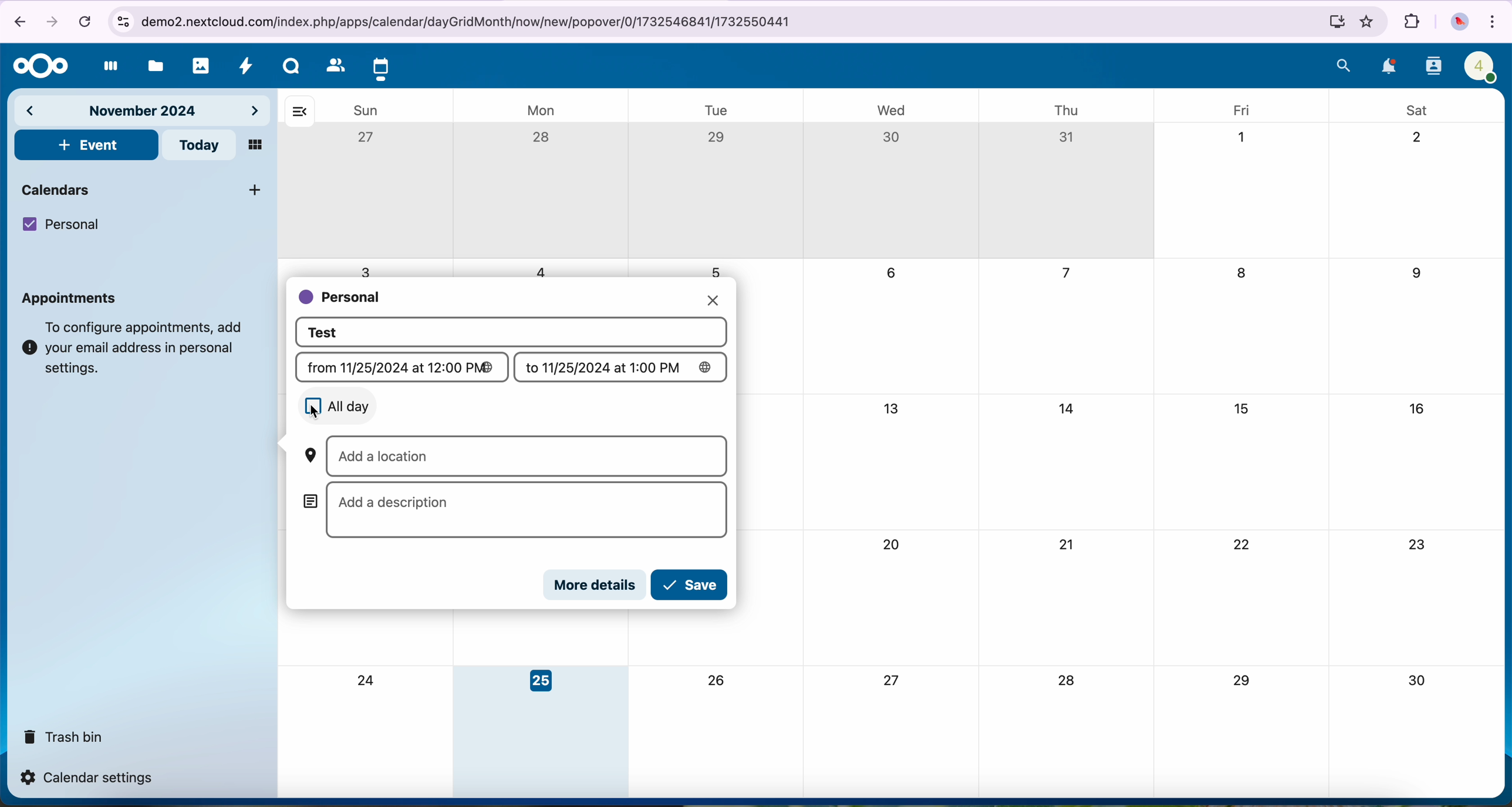 The height and width of the screenshot is (807, 1512). Describe the element at coordinates (61, 225) in the screenshot. I see `personal` at that location.